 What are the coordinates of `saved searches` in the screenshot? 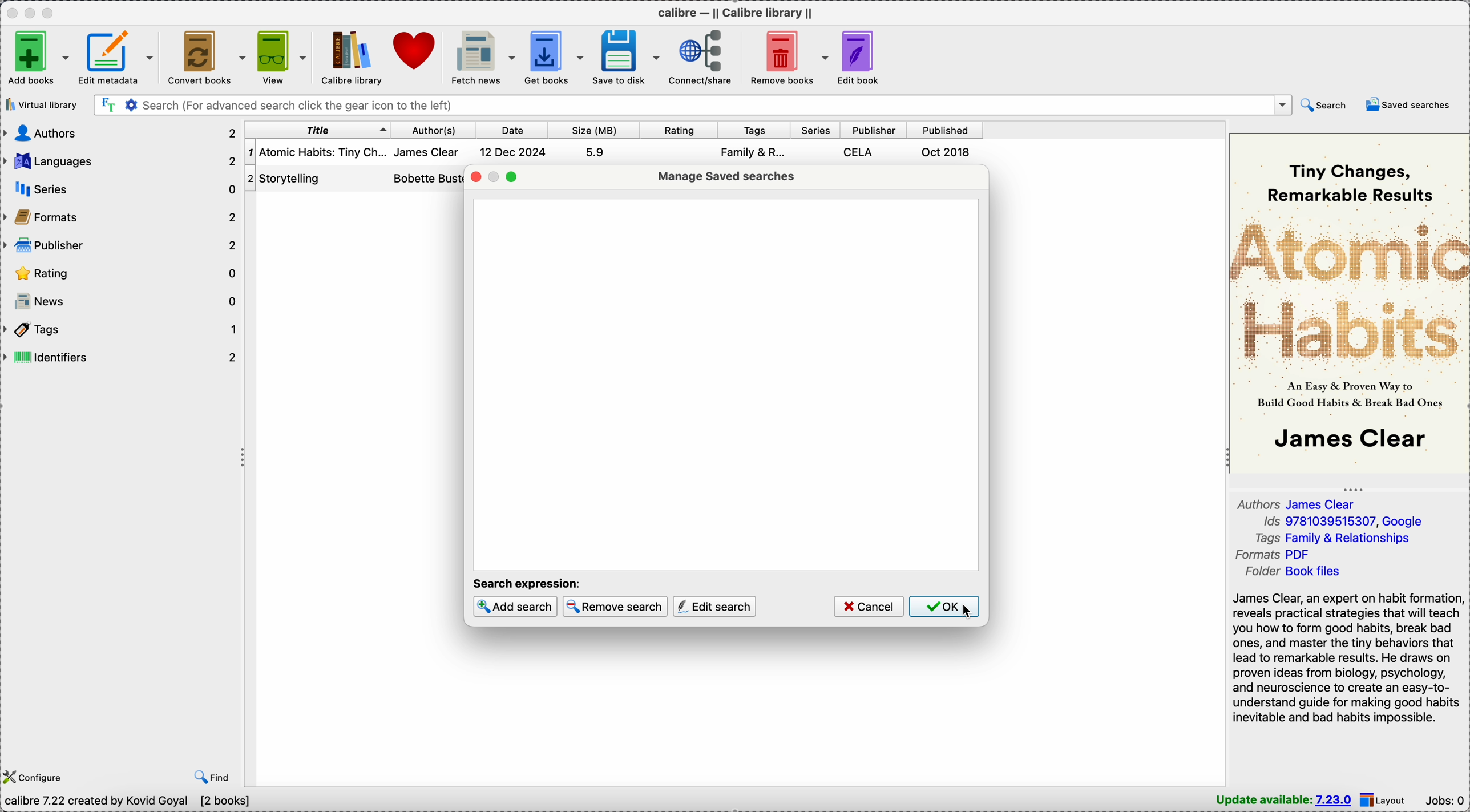 It's located at (1412, 105).